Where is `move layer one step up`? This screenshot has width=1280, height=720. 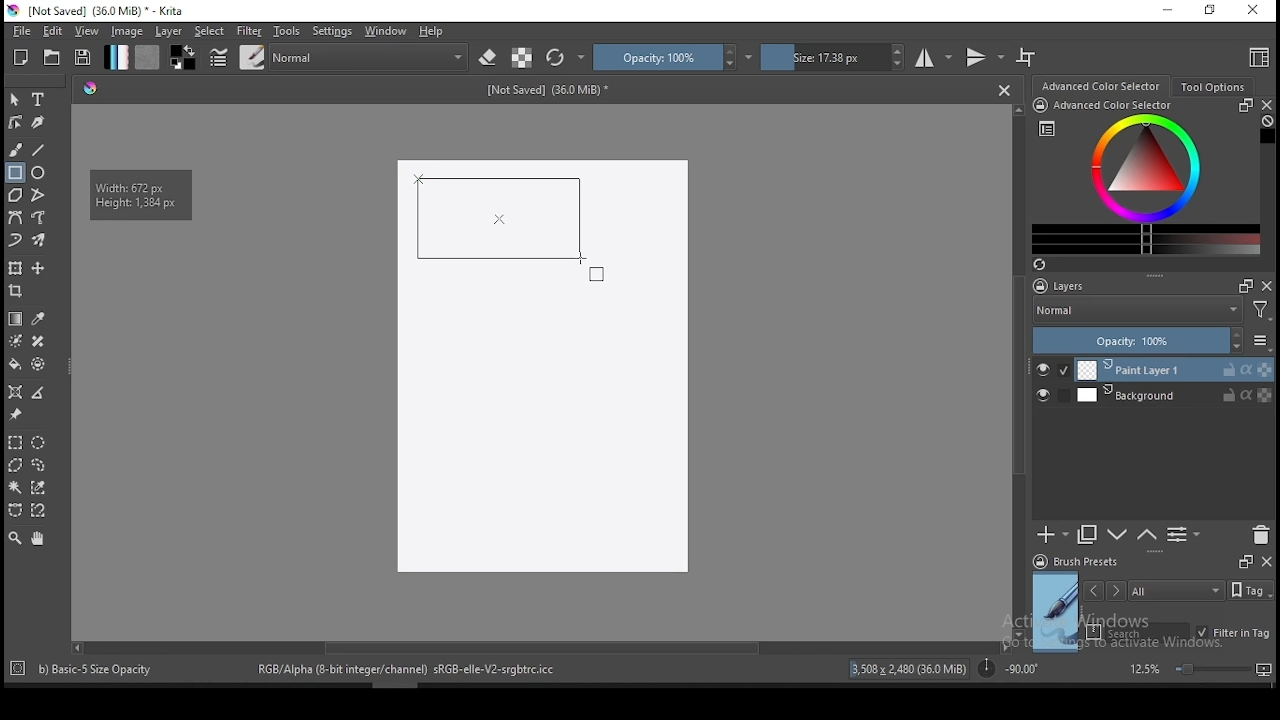 move layer one step up is located at coordinates (1118, 537).